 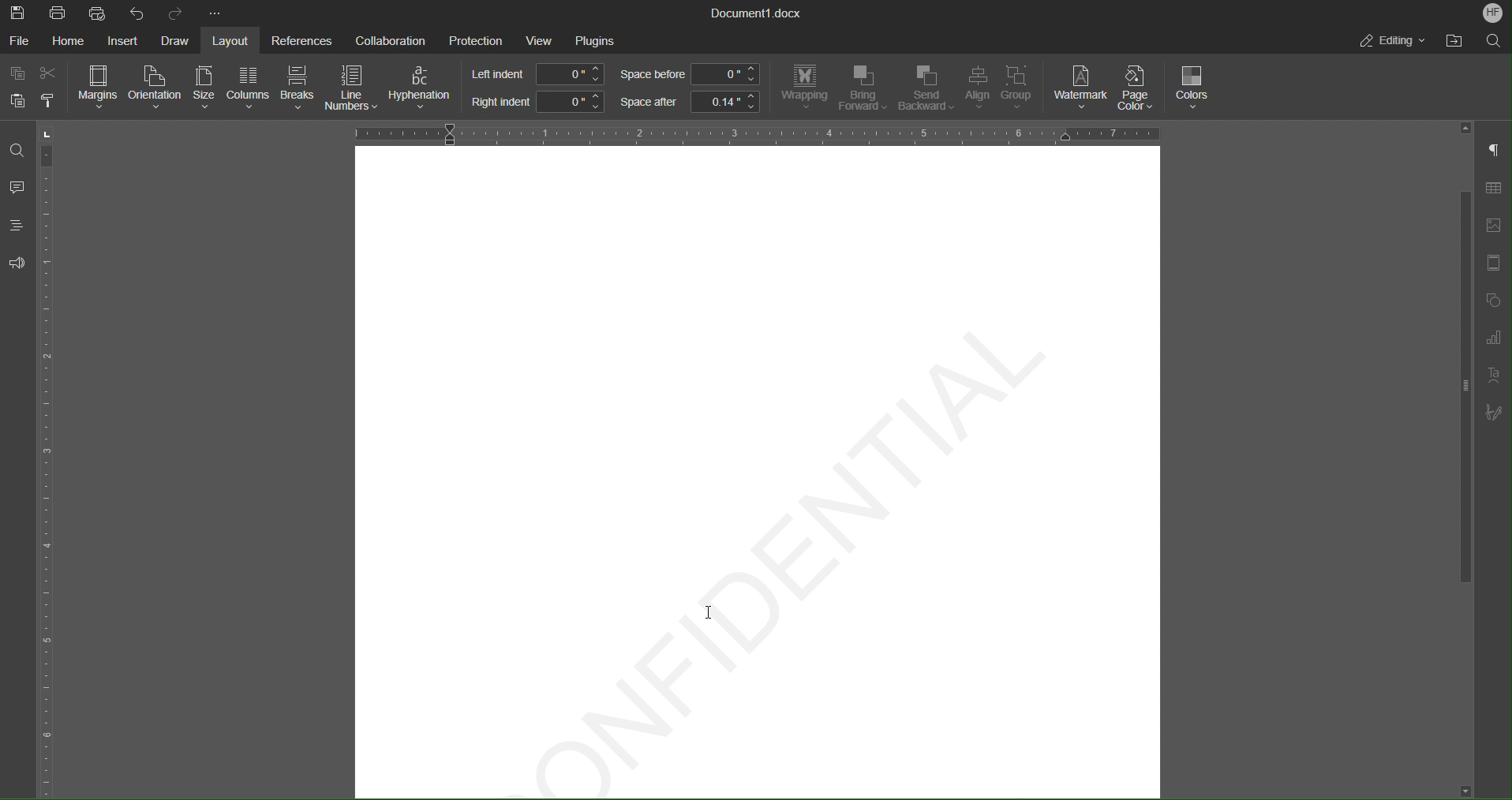 I want to click on Align, so click(x=976, y=89).